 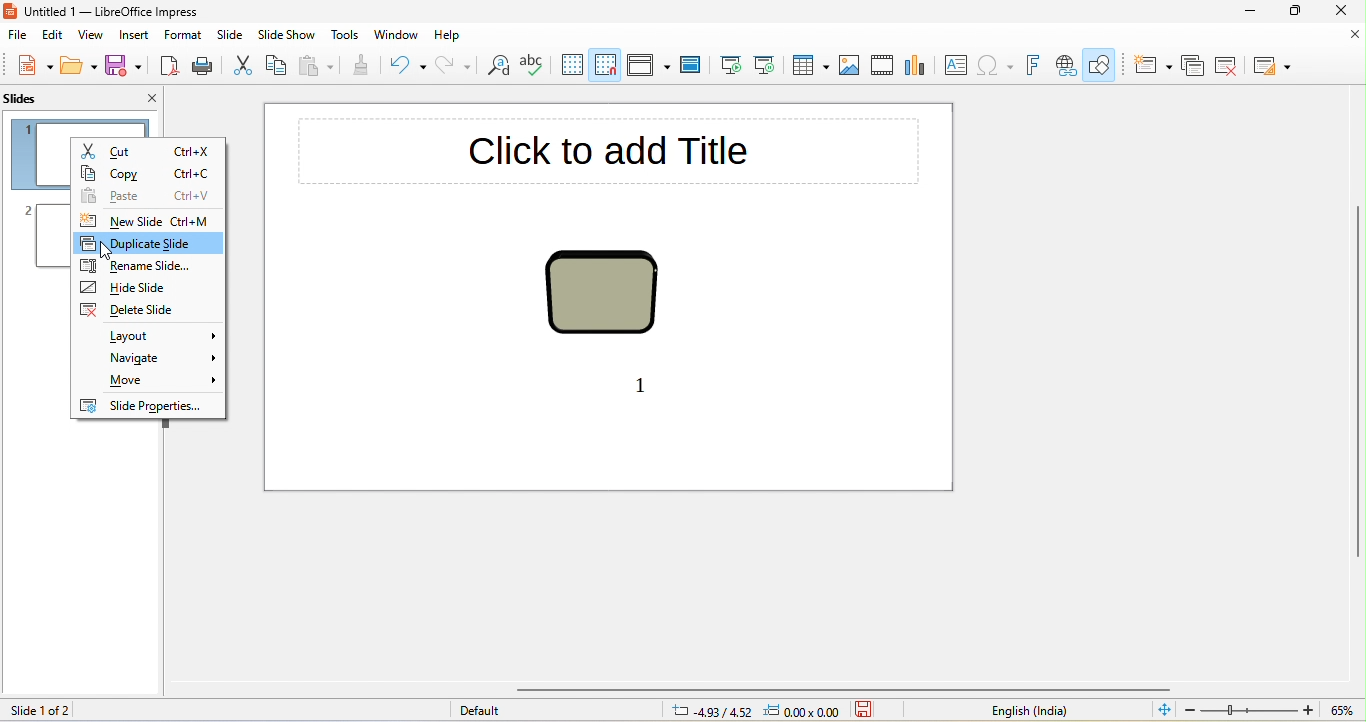 What do you see at coordinates (882, 67) in the screenshot?
I see `video` at bounding box center [882, 67].